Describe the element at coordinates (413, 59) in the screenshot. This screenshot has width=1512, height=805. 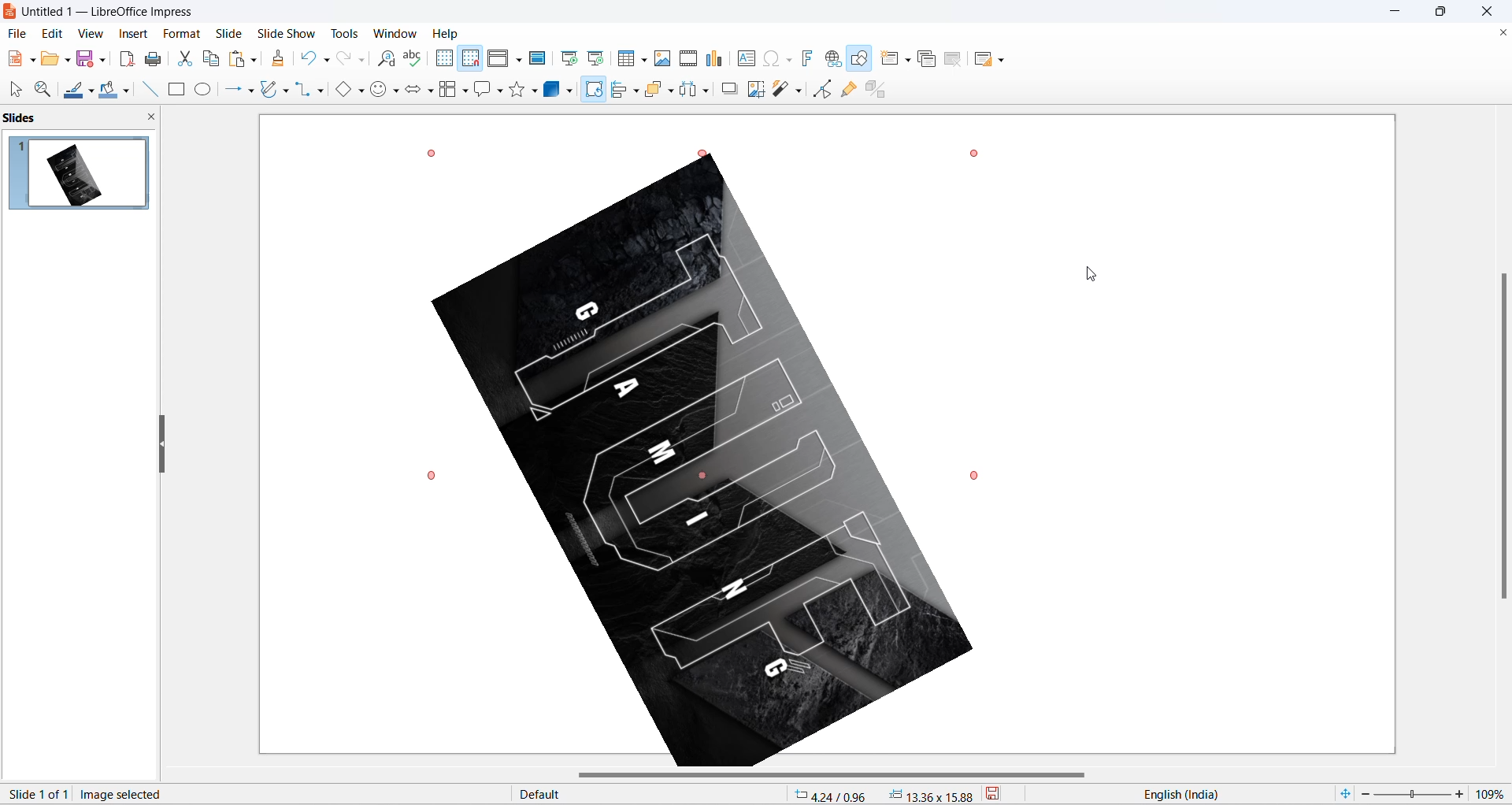
I see `spelling` at that location.